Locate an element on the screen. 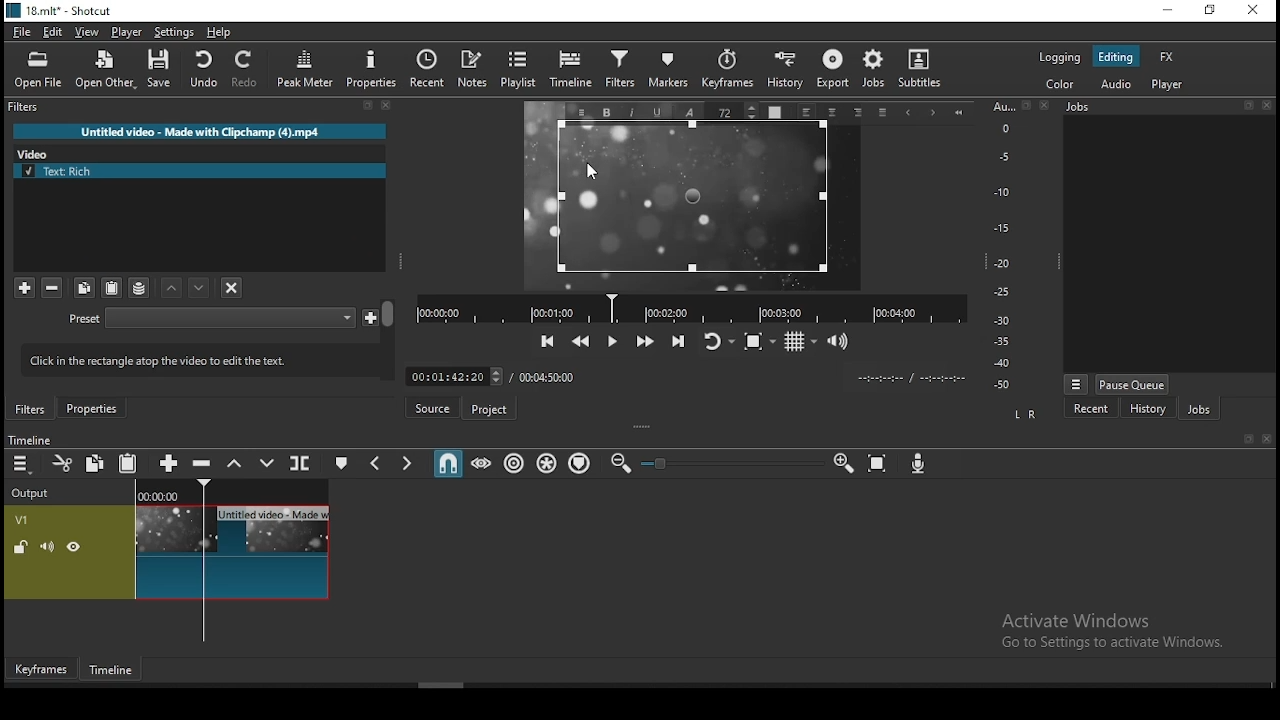 The height and width of the screenshot is (720, 1280). next marker is located at coordinates (407, 461).